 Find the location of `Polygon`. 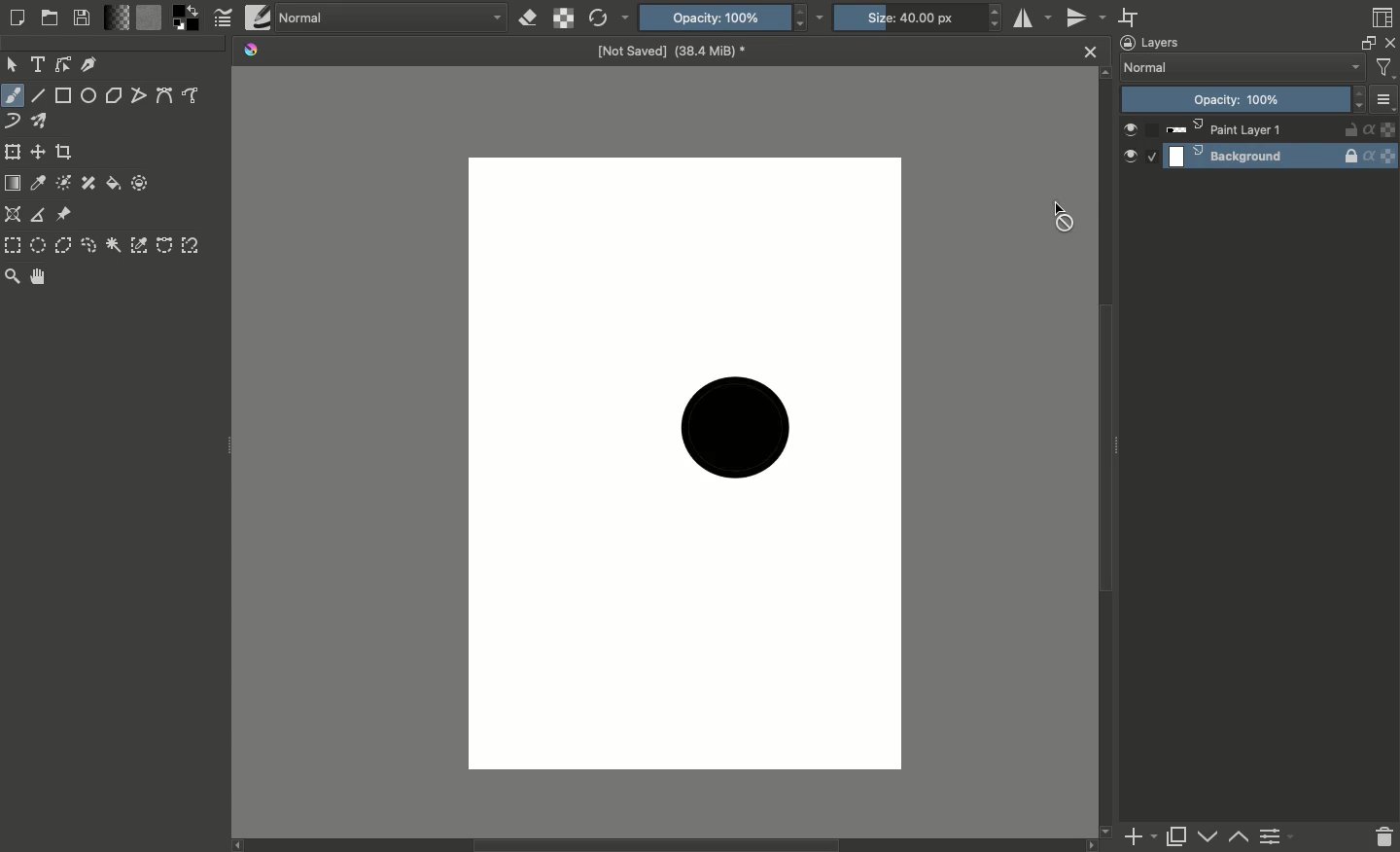

Polygon is located at coordinates (116, 94).